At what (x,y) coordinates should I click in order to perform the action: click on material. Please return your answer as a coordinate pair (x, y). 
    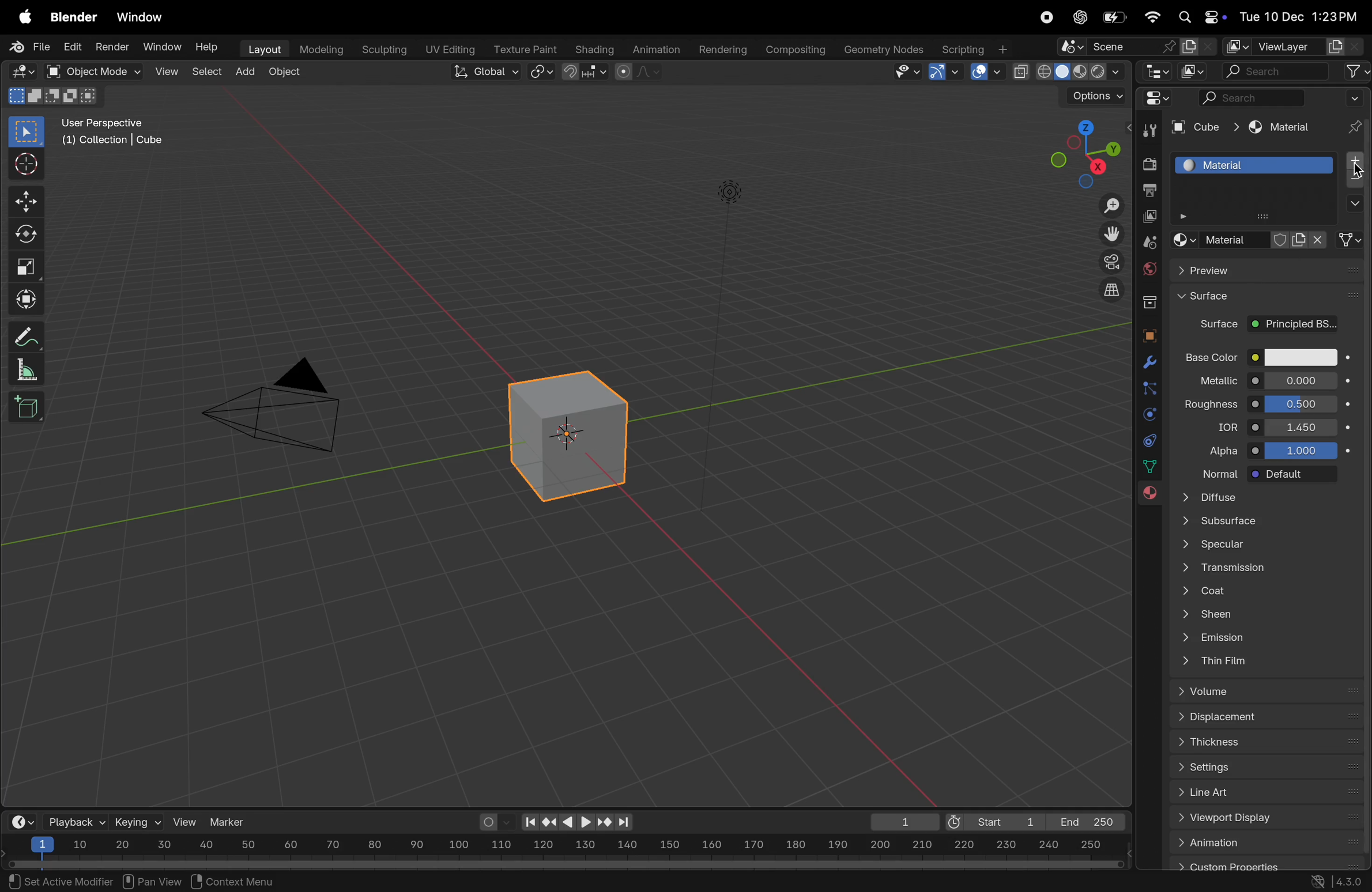
    Looking at the image, I should click on (1285, 128).